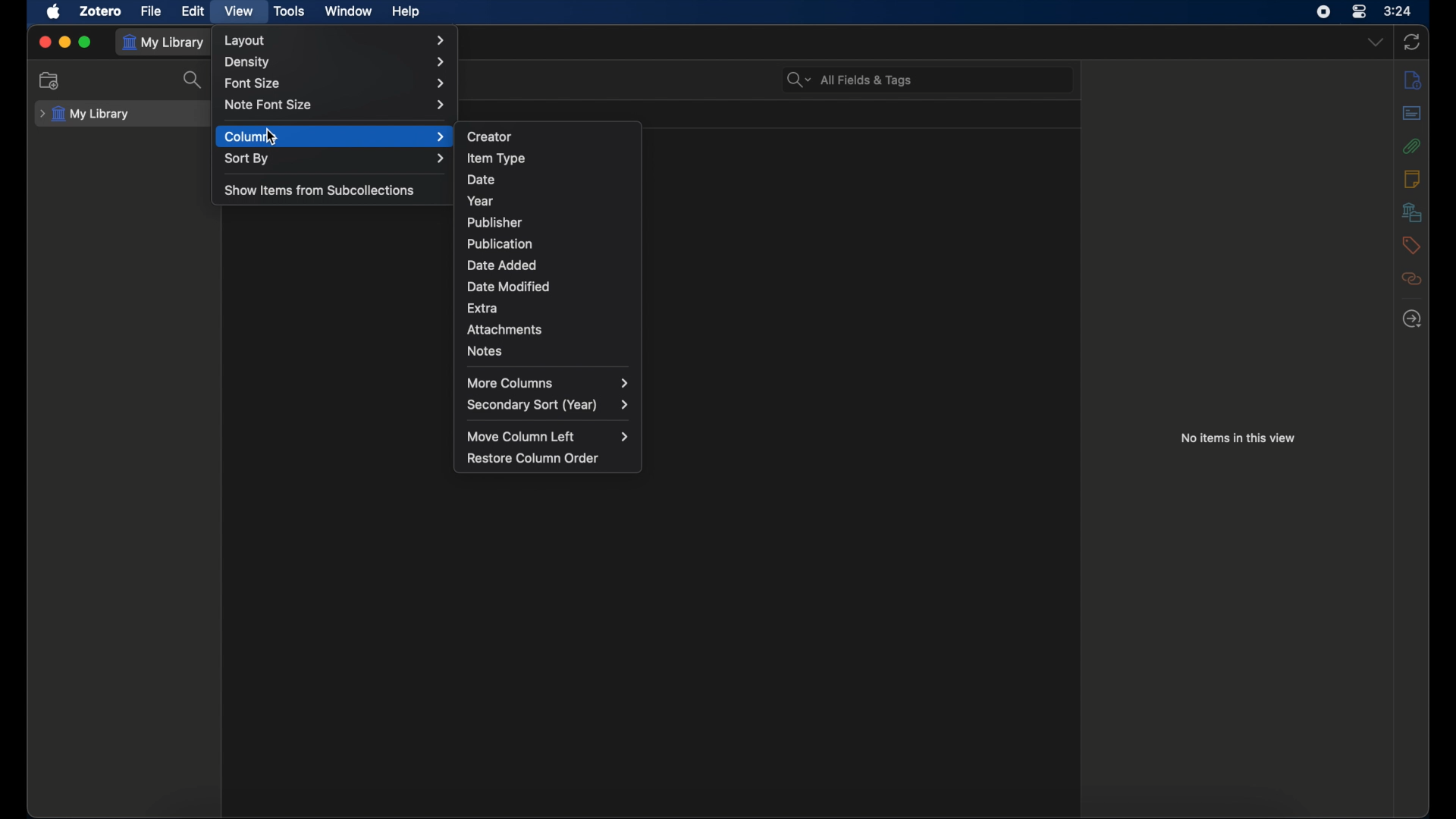  I want to click on extra, so click(483, 308).